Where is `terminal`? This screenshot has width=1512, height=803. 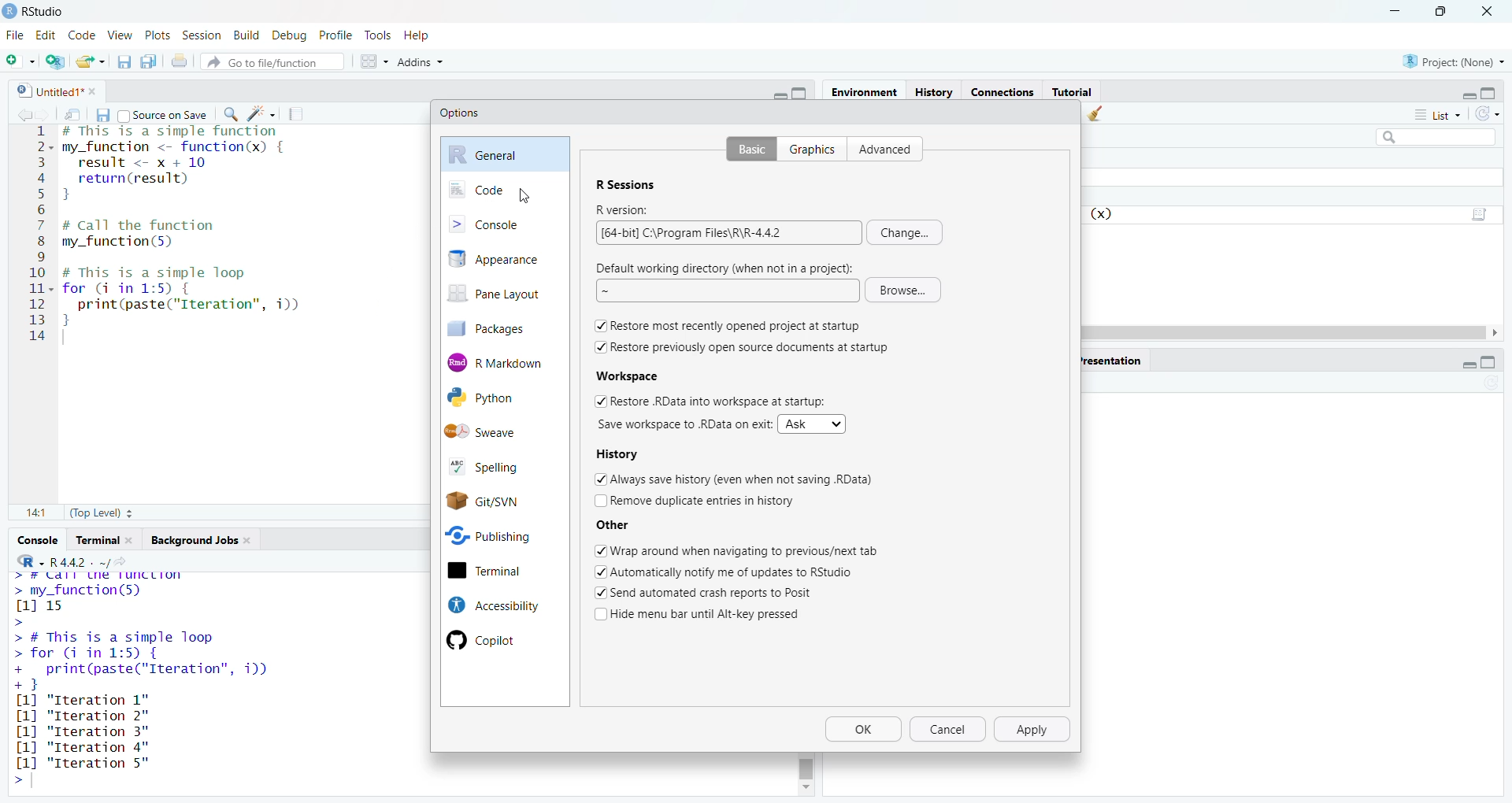
terminal is located at coordinates (502, 572).